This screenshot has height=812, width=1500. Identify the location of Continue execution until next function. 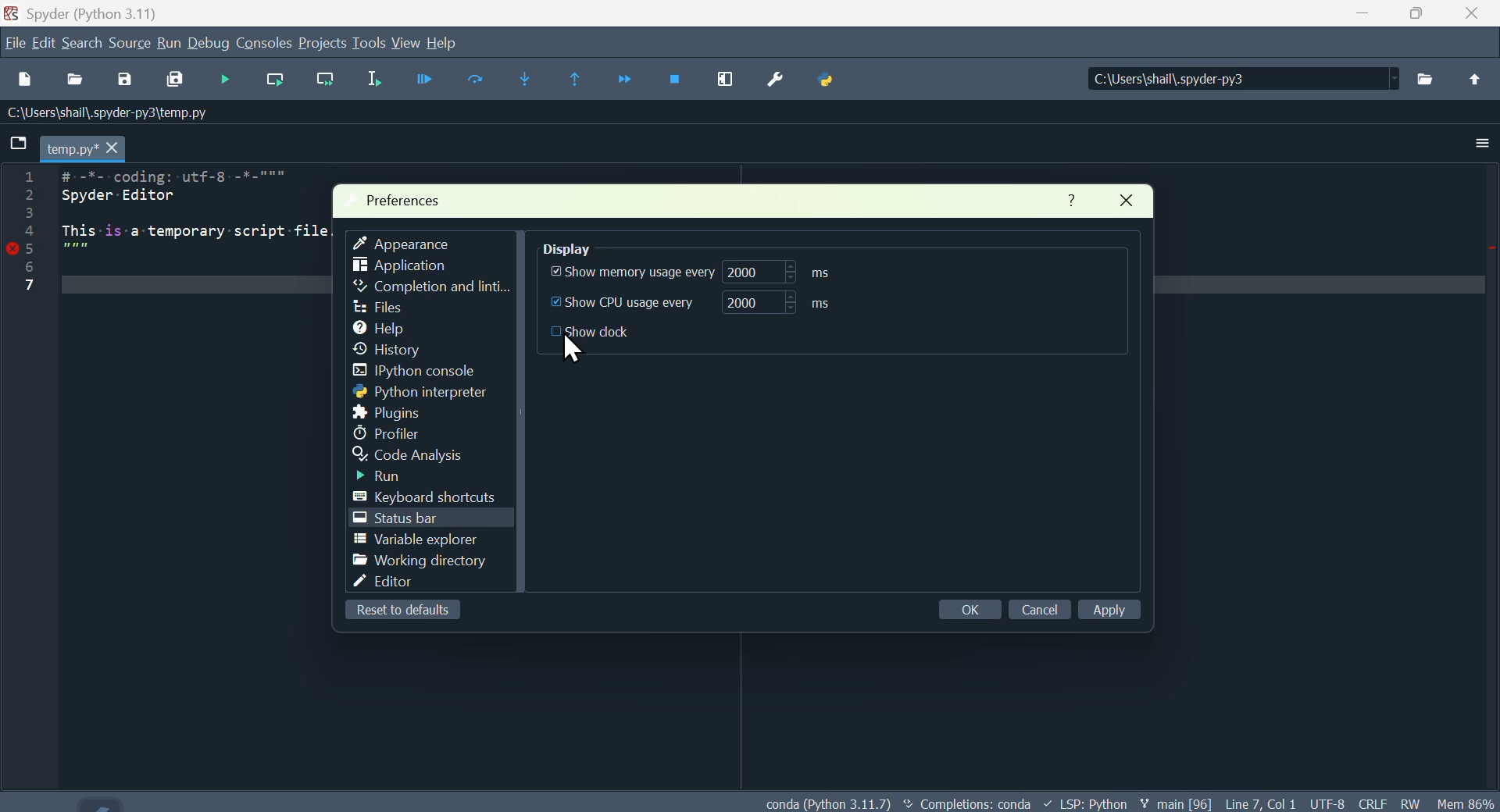
(627, 78).